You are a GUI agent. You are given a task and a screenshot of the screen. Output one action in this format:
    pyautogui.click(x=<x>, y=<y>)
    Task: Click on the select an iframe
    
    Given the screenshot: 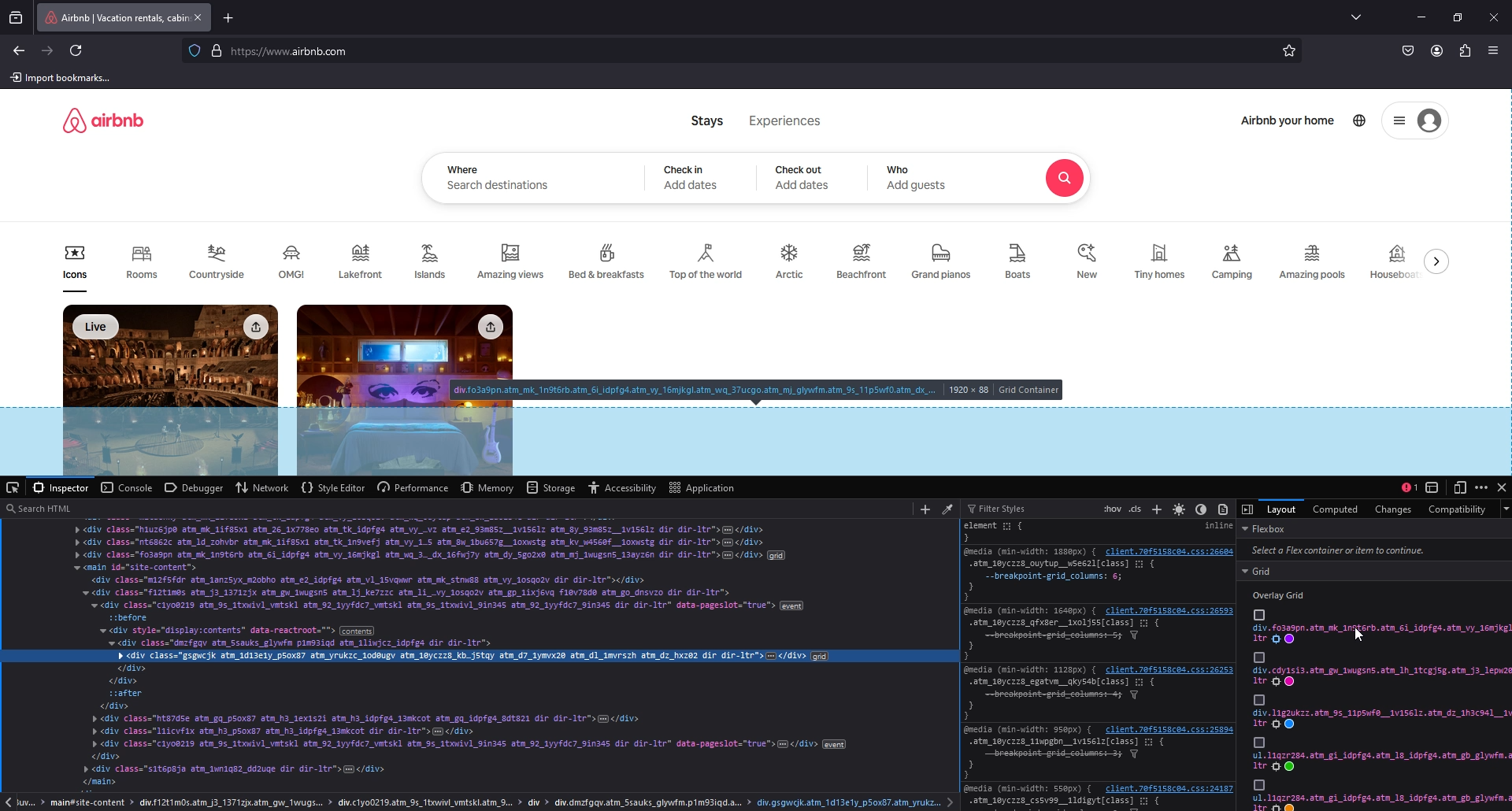 What is the action you would take?
    pyautogui.click(x=1434, y=487)
    